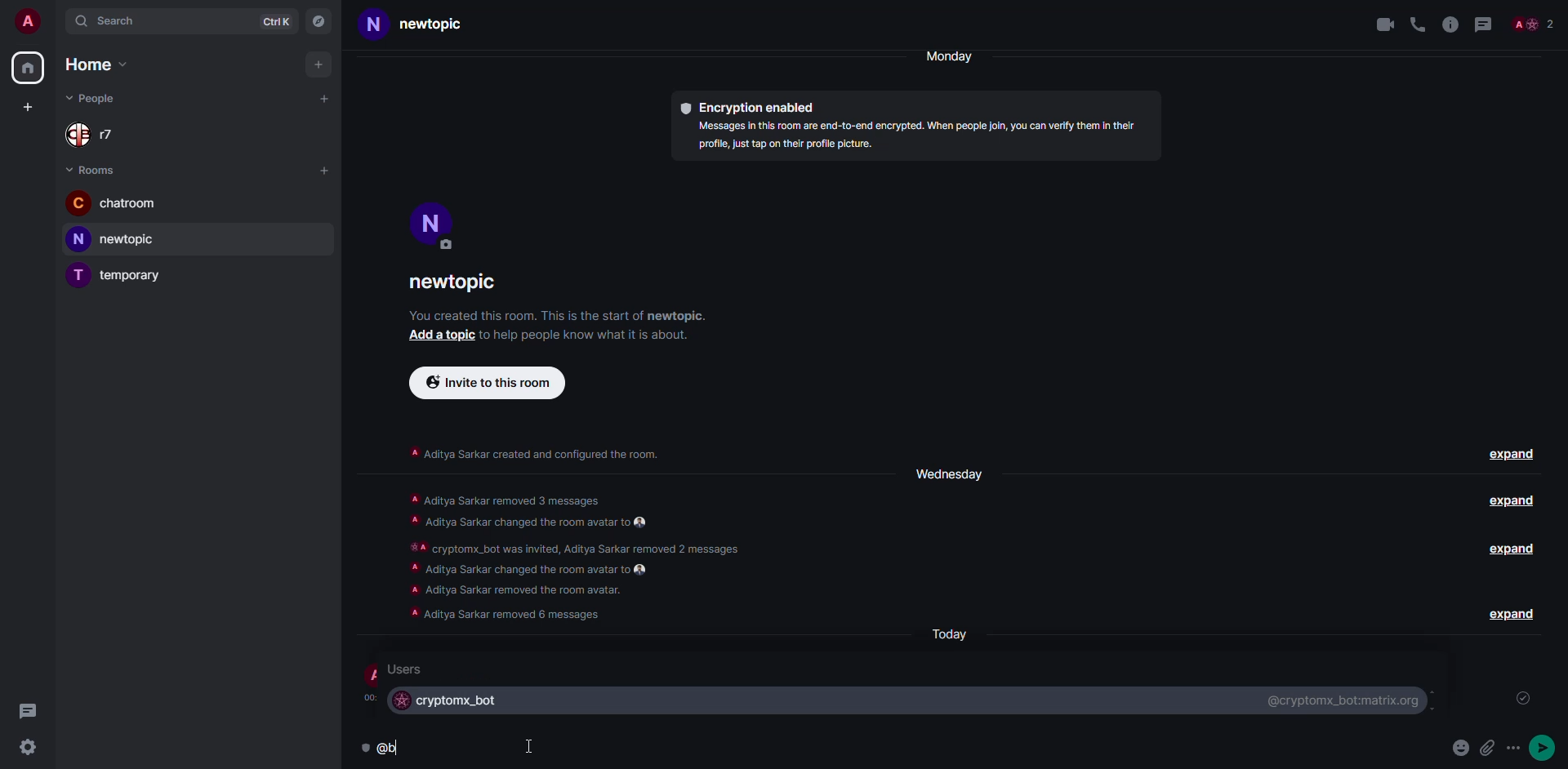 The image size is (1568, 769). Describe the element at coordinates (953, 634) in the screenshot. I see `Today` at that location.